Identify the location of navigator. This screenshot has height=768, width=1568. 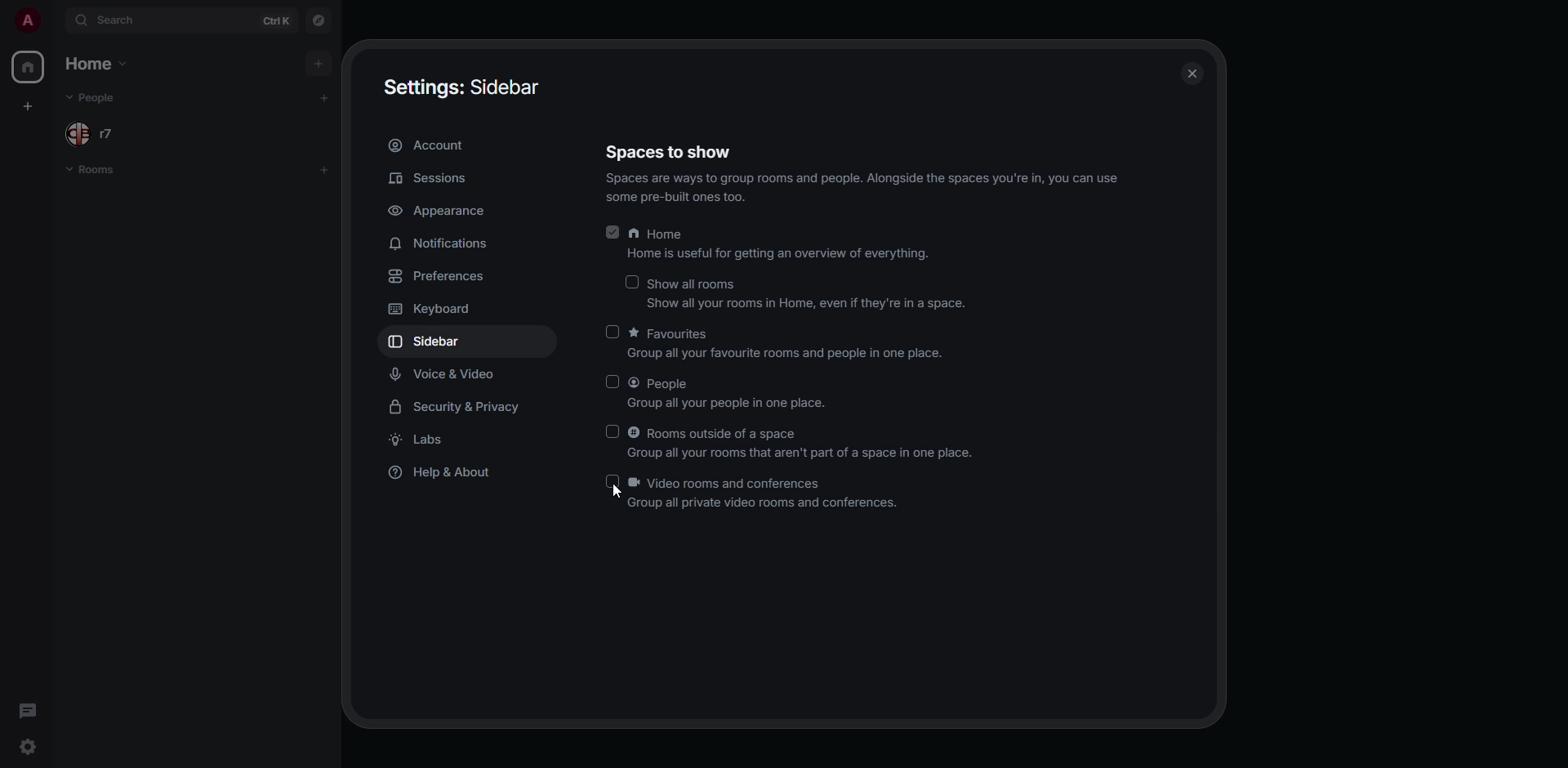
(317, 23).